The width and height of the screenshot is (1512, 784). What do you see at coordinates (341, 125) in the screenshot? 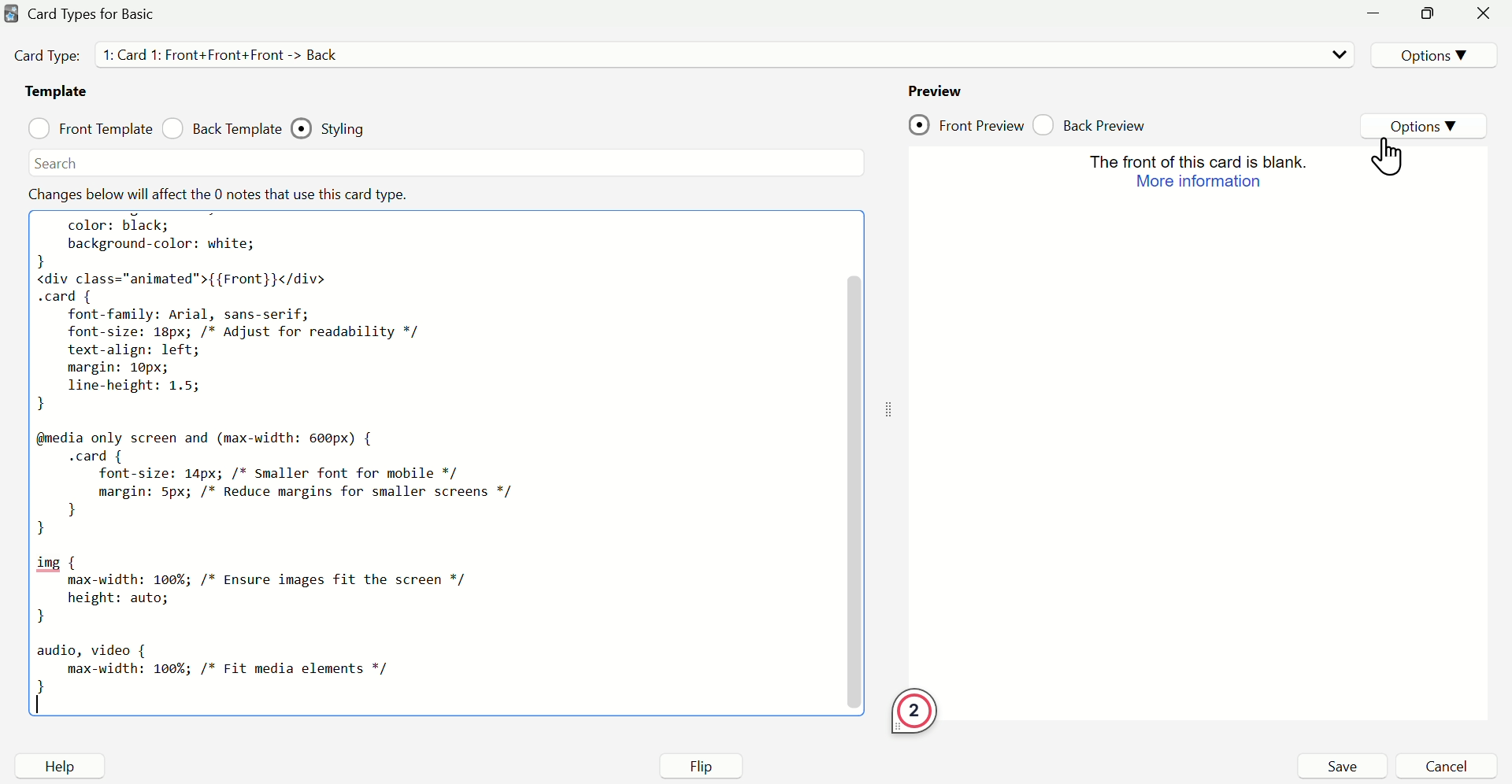
I see `Styling` at bounding box center [341, 125].